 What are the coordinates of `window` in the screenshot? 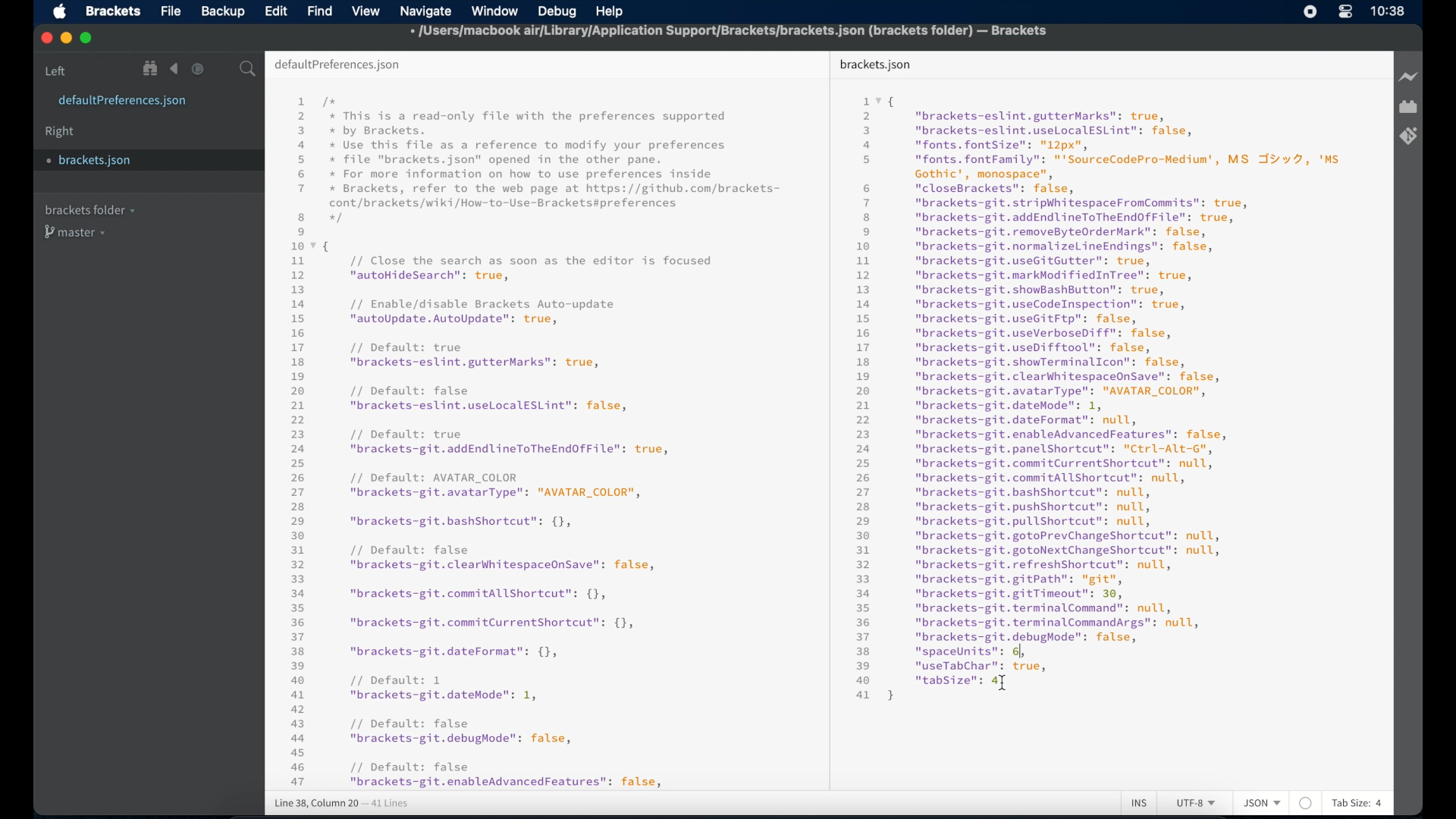 It's located at (495, 11).